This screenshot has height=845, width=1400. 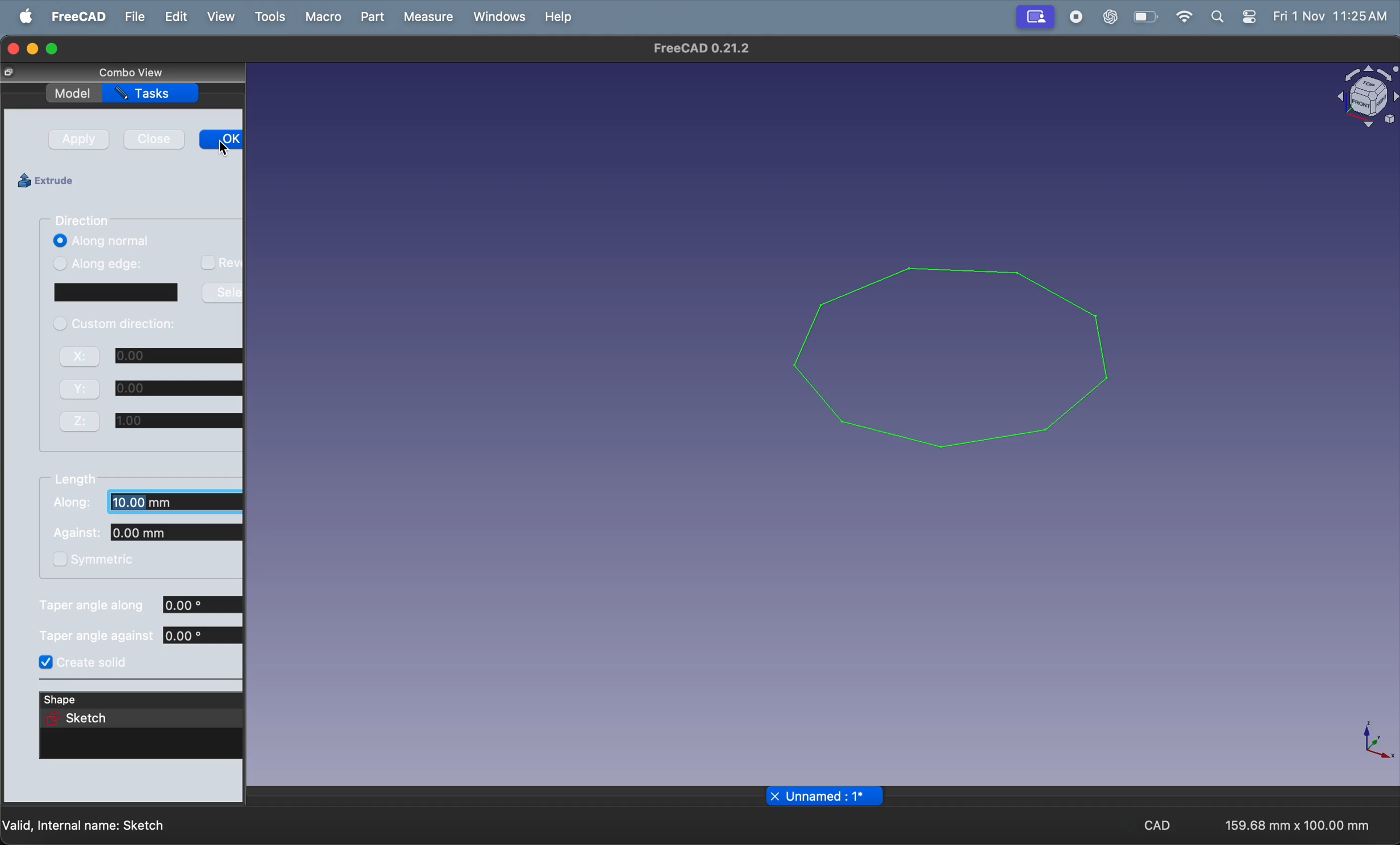 I want to click on model, so click(x=69, y=94).